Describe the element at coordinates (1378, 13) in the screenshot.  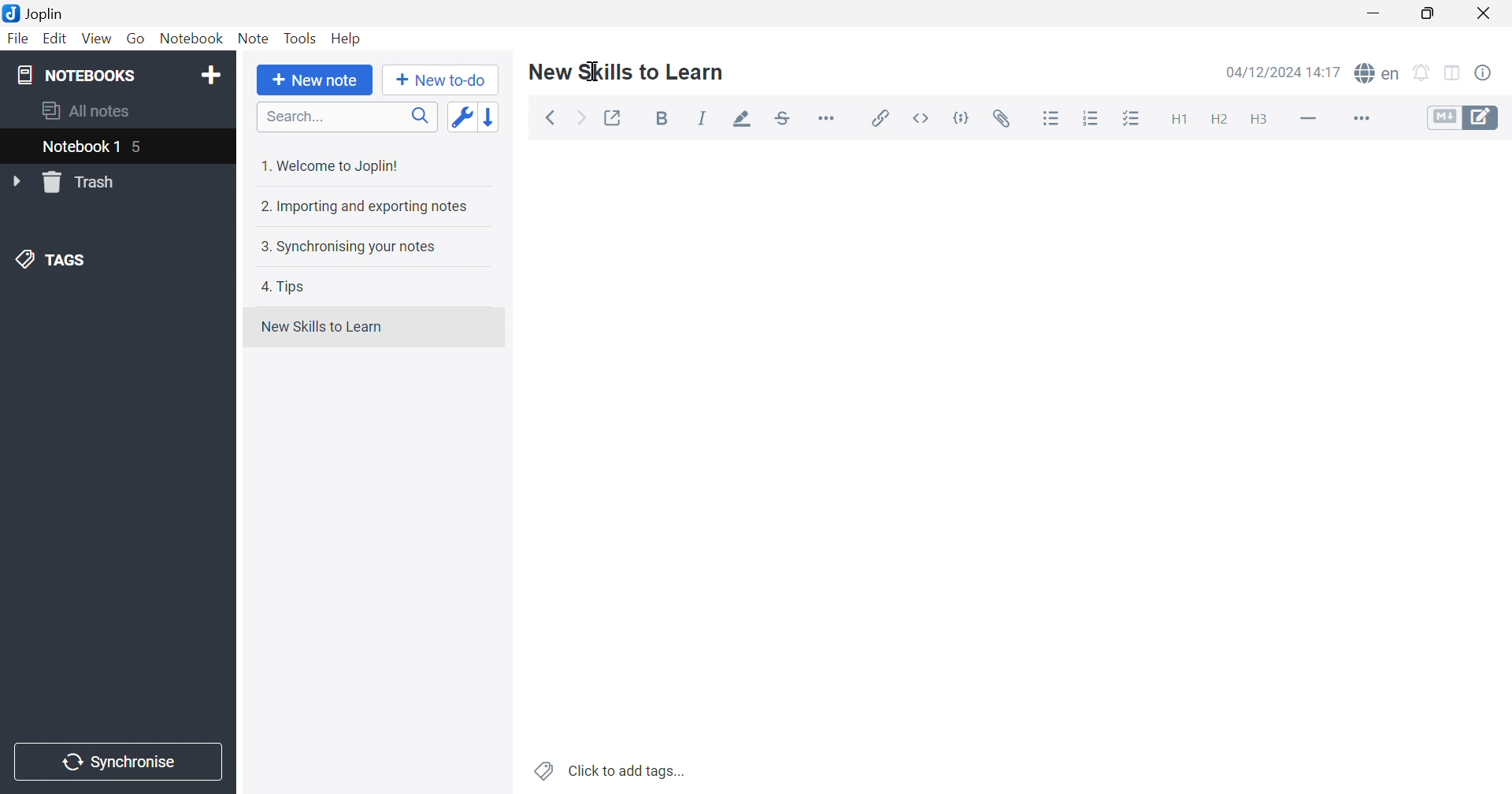
I see `Minimize` at that location.